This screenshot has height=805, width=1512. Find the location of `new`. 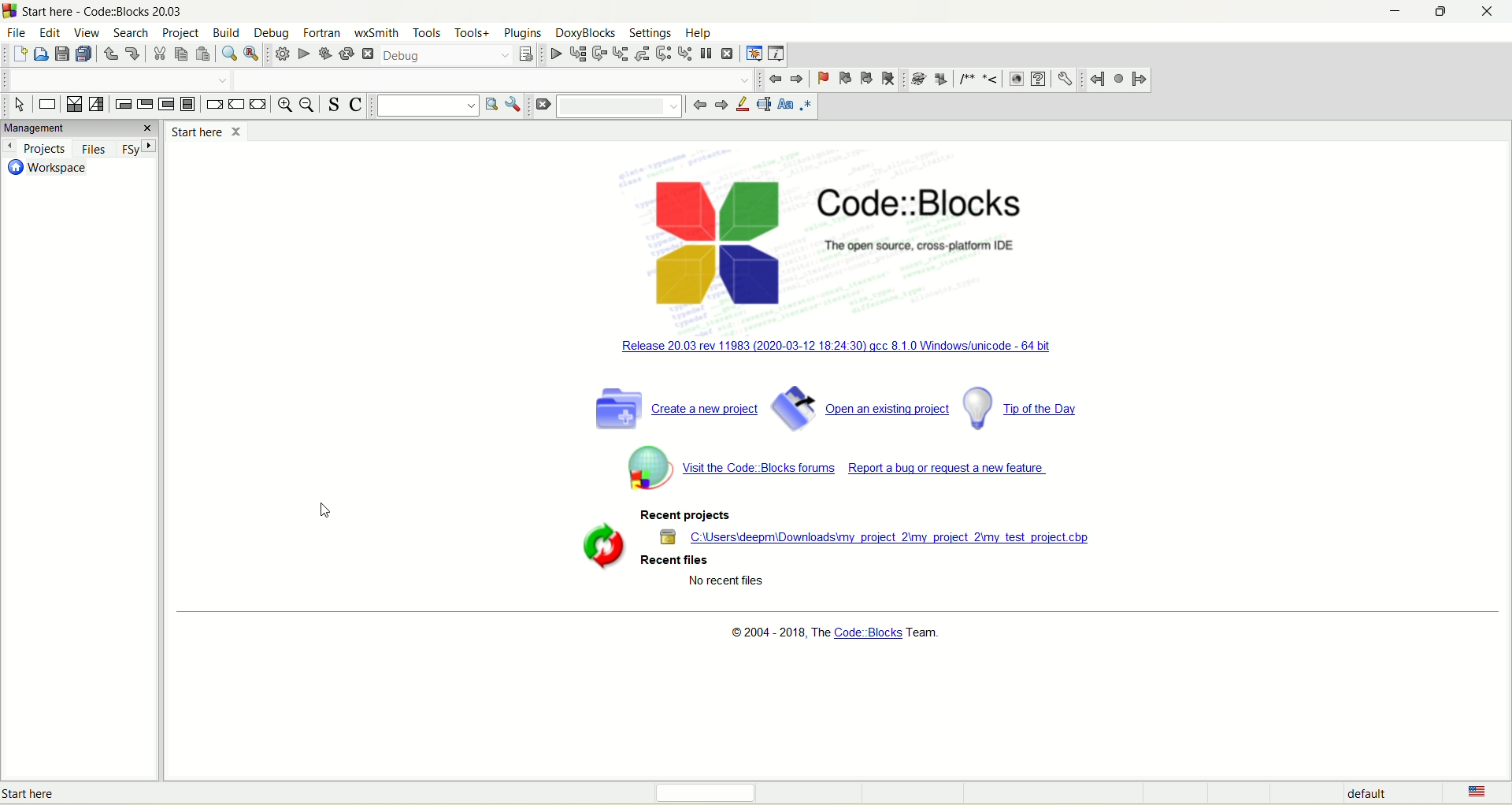

new is located at coordinates (19, 54).